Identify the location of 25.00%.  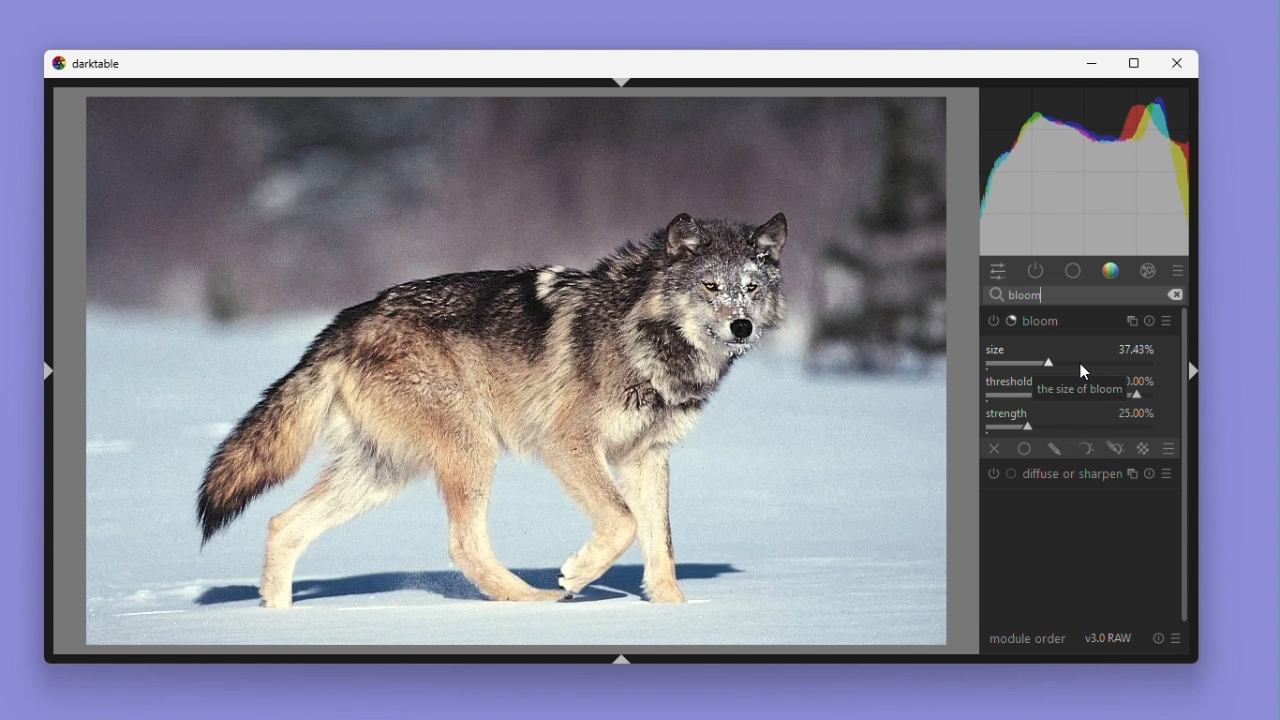
(1138, 412).